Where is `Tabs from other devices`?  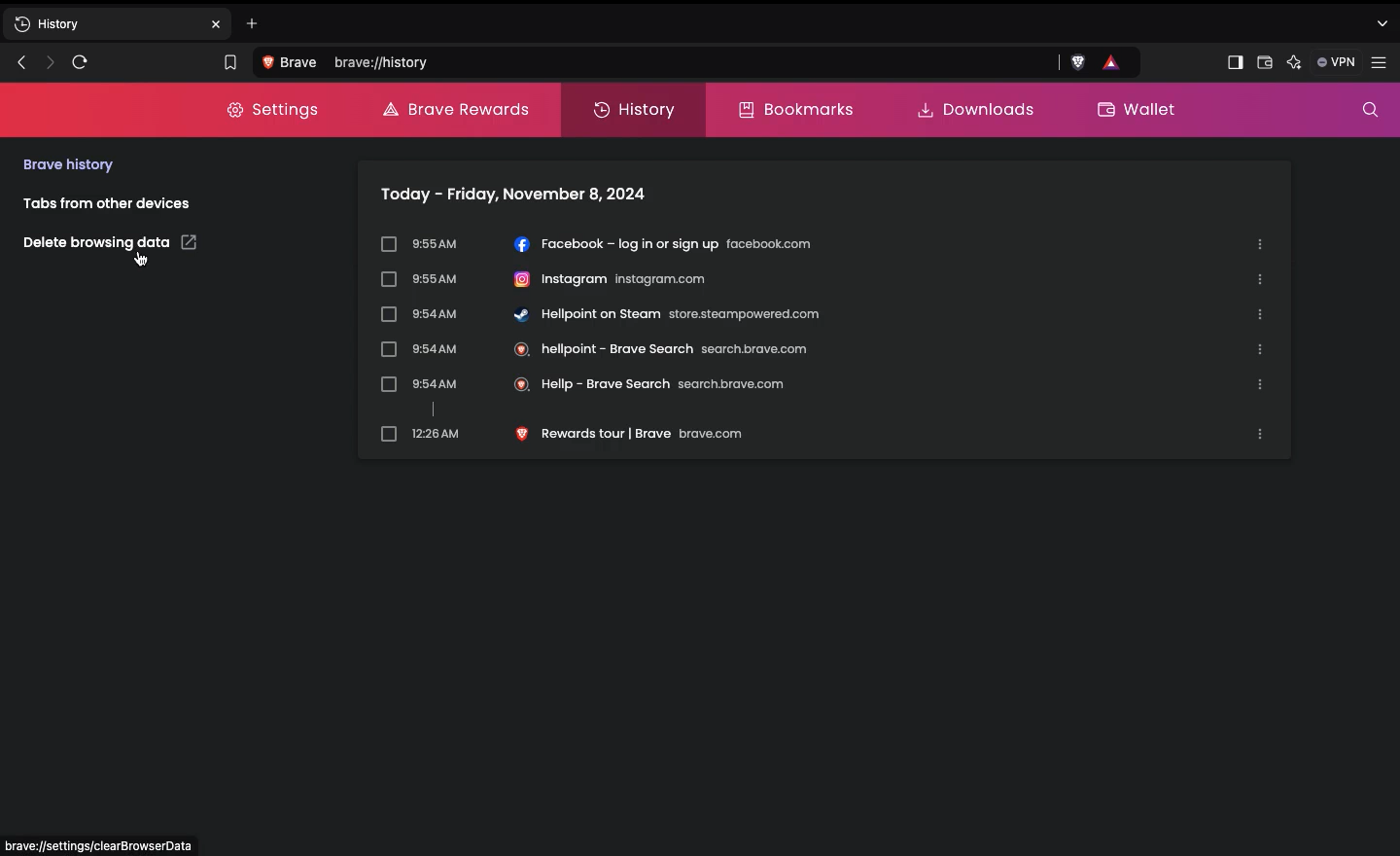
Tabs from other devices is located at coordinates (113, 202).